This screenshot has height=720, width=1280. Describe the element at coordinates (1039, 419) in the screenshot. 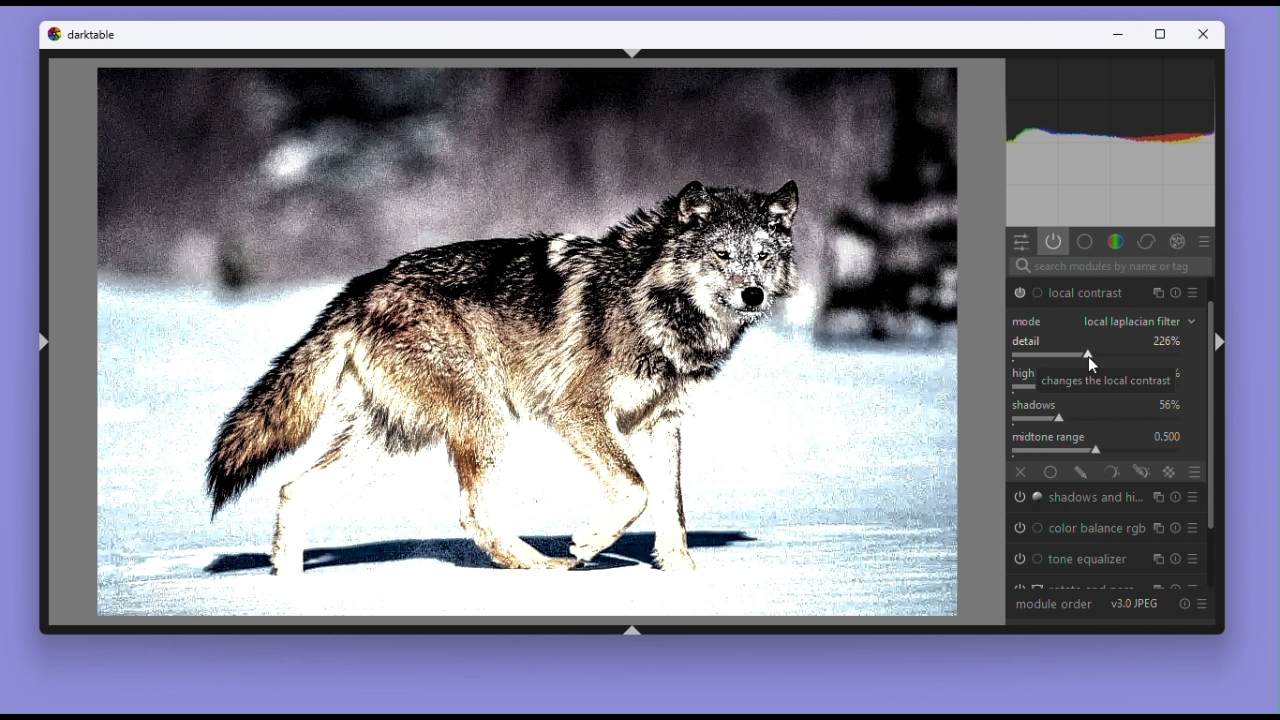

I see `change the local contrast of shadows` at that location.